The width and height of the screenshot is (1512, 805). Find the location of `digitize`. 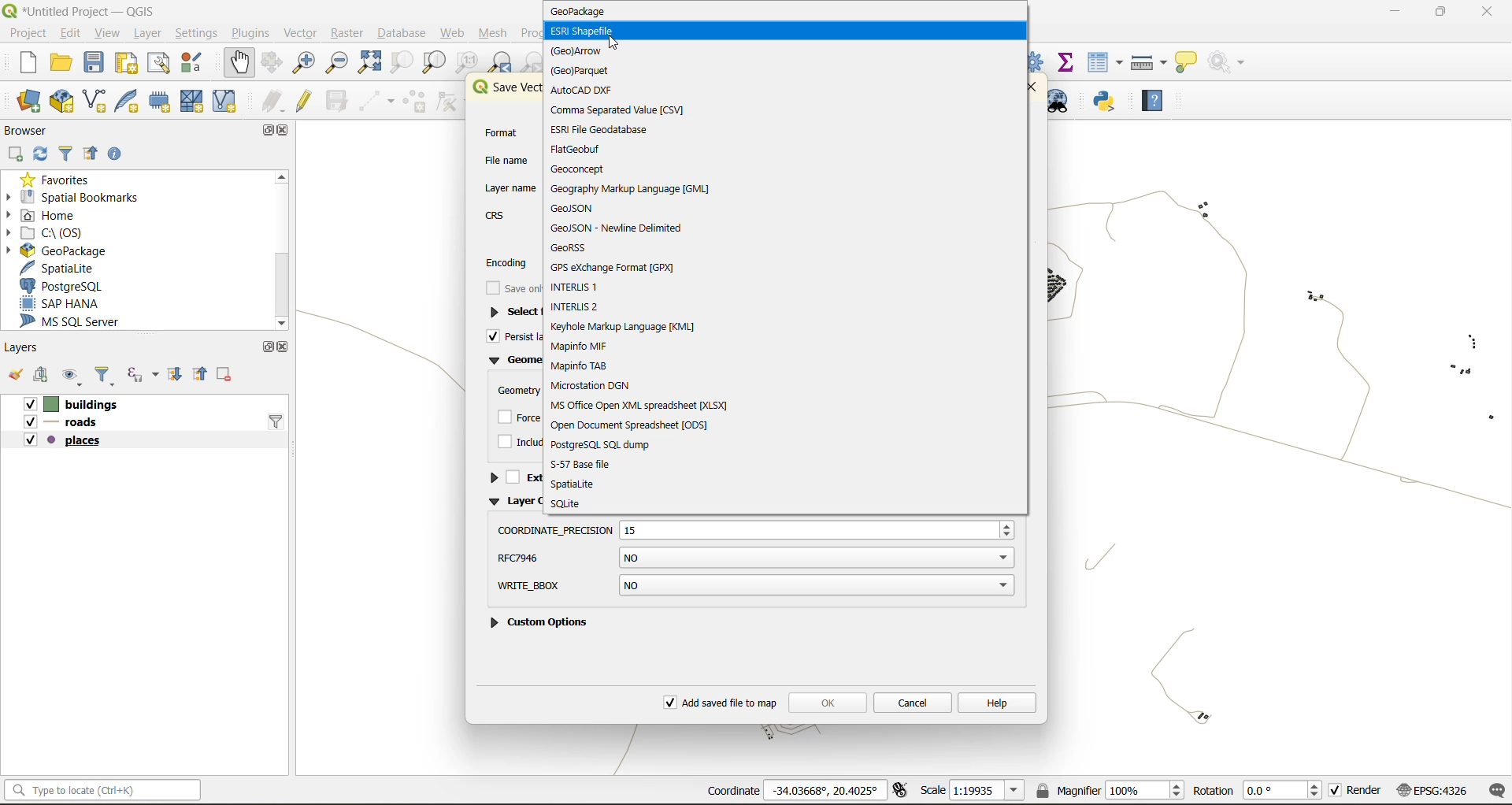

digitize is located at coordinates (374, 101).